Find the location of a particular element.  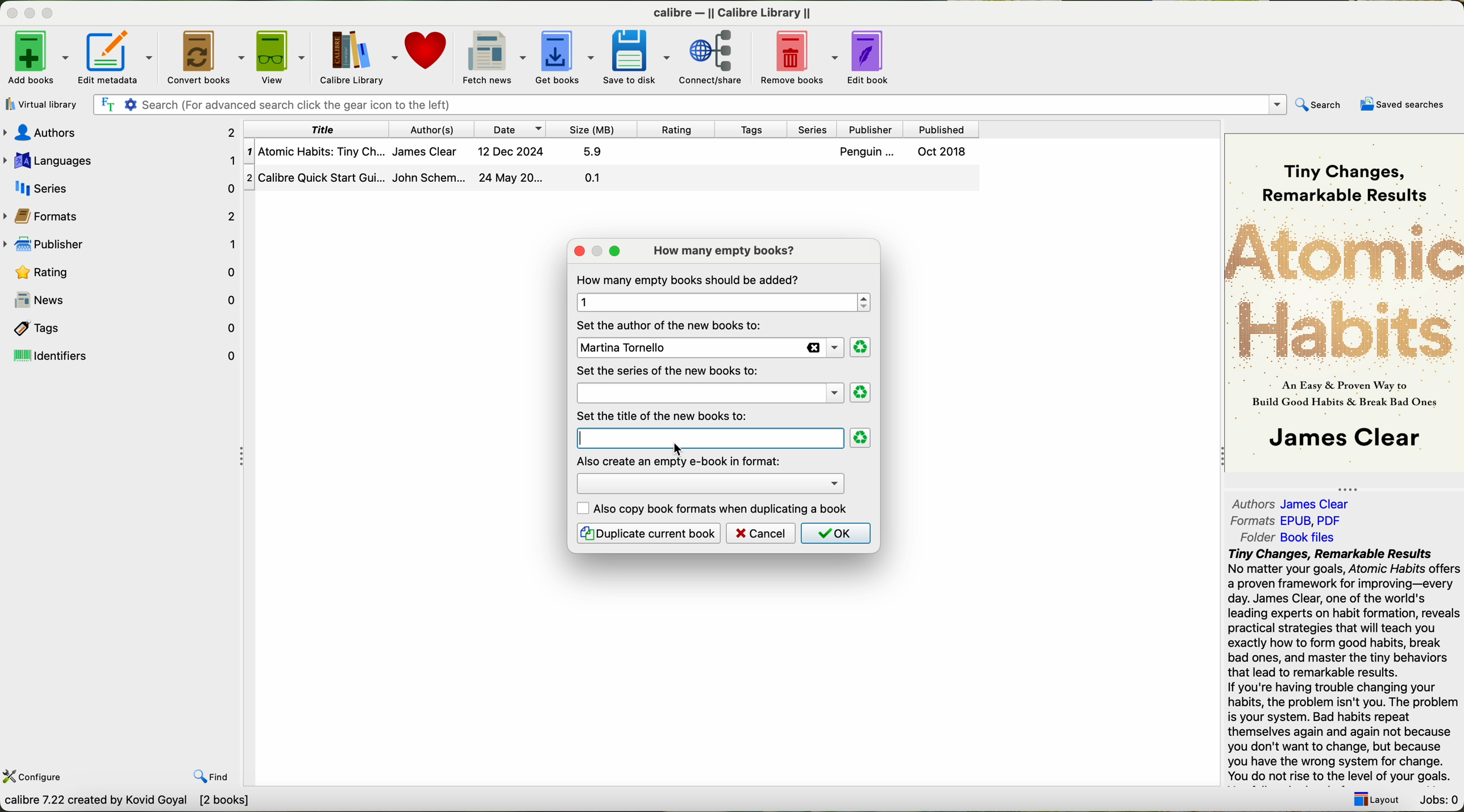

languages is located at coordinates (121, 159).